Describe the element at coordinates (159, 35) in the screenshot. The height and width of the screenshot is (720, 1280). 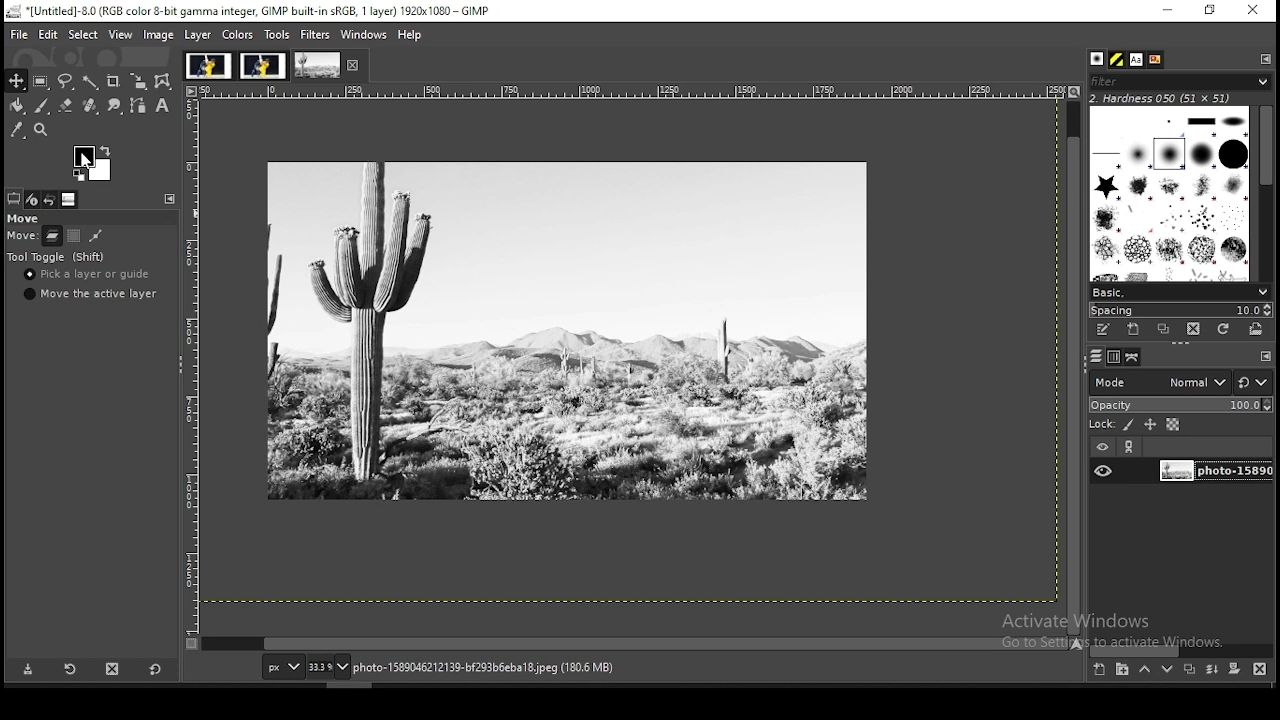
I see `image` at that location.